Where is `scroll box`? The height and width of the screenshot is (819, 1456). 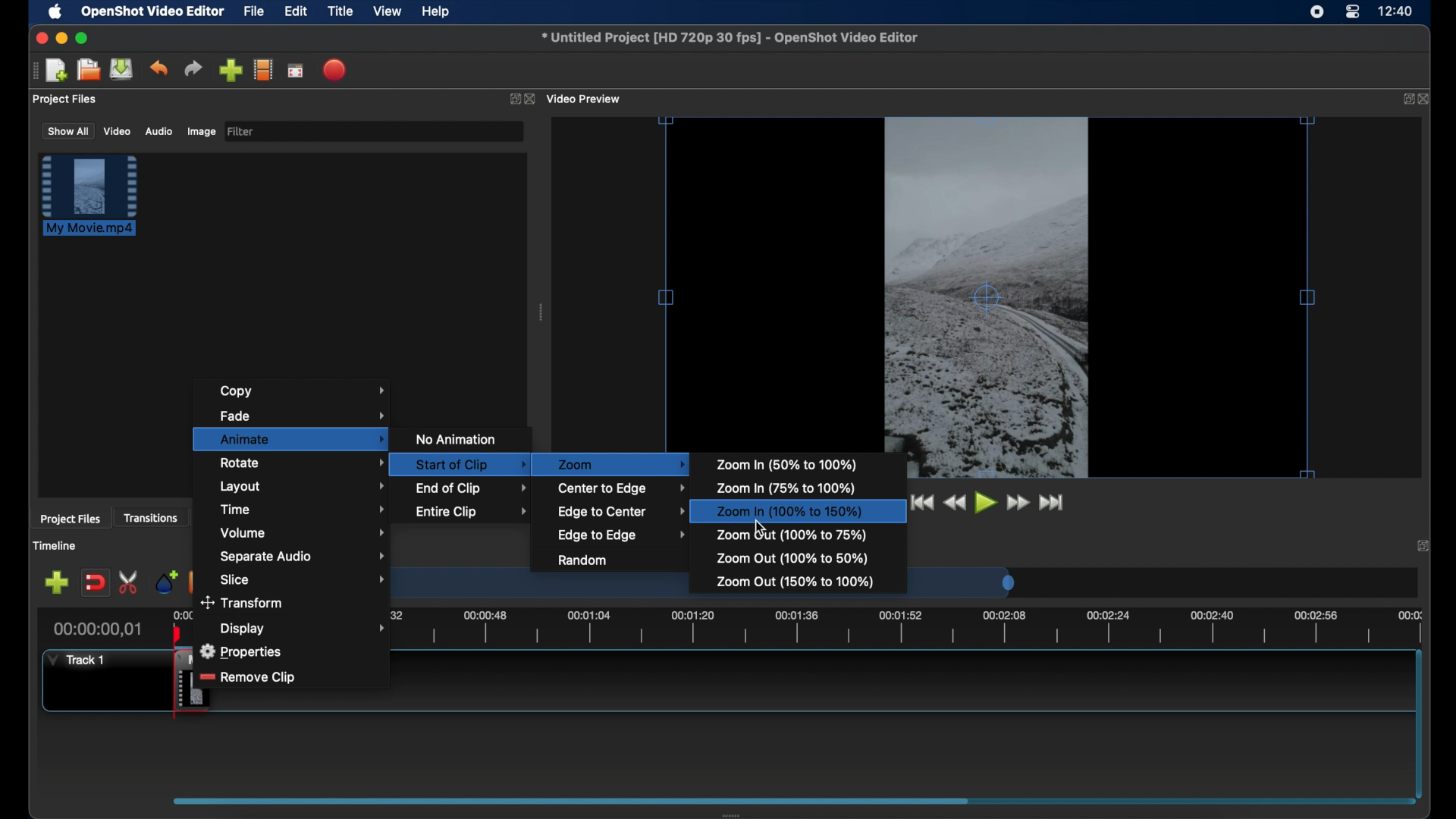 scroll box is located at coordinates (571, 800).